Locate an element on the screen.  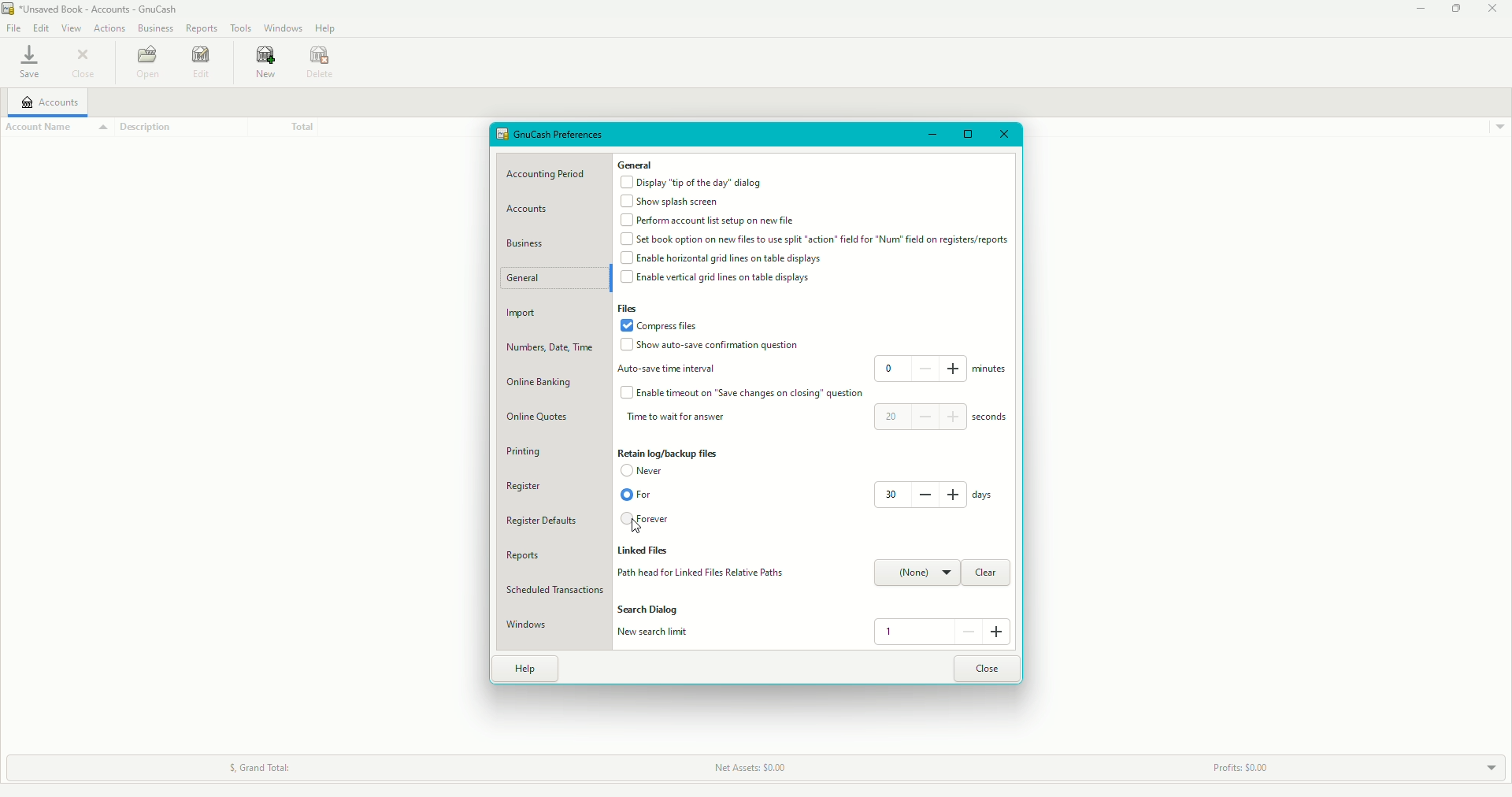
Restore is located at coordinates (1455, 9).